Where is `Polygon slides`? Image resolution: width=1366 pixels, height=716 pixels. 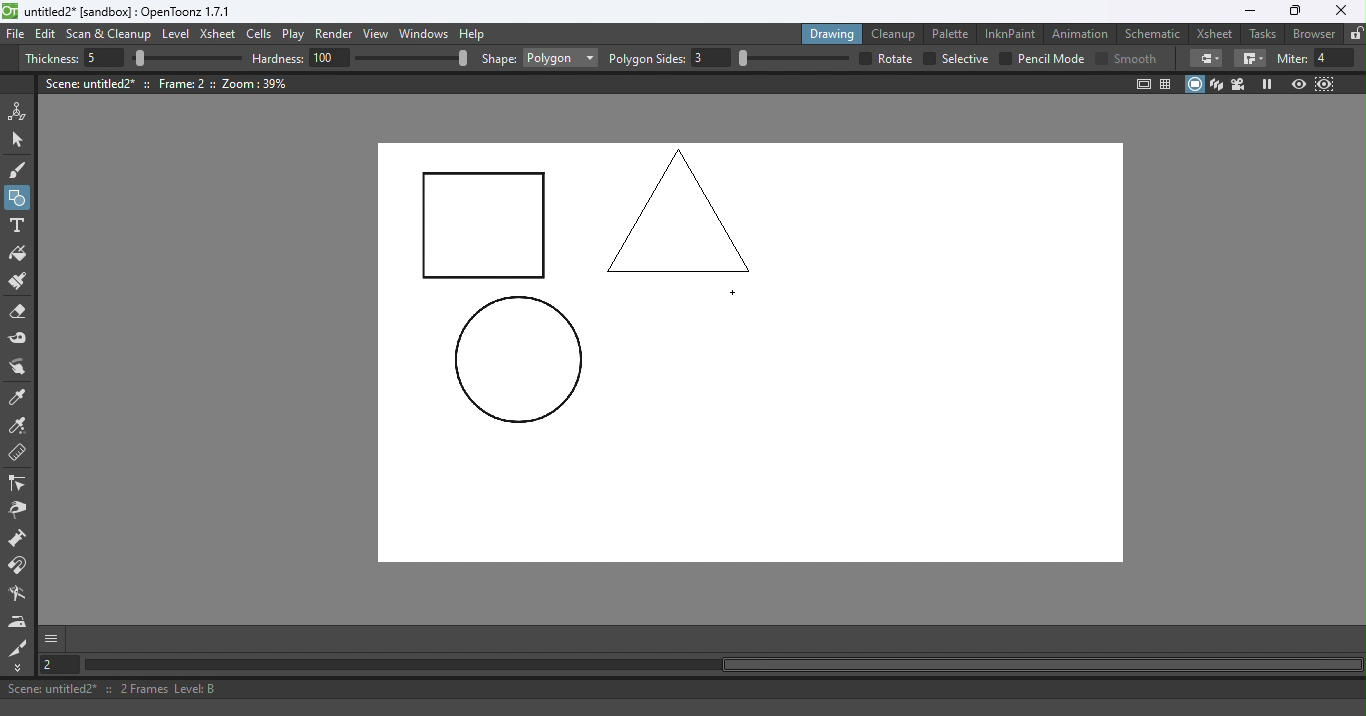 Polygon slides is located at coordinates (647, 59).